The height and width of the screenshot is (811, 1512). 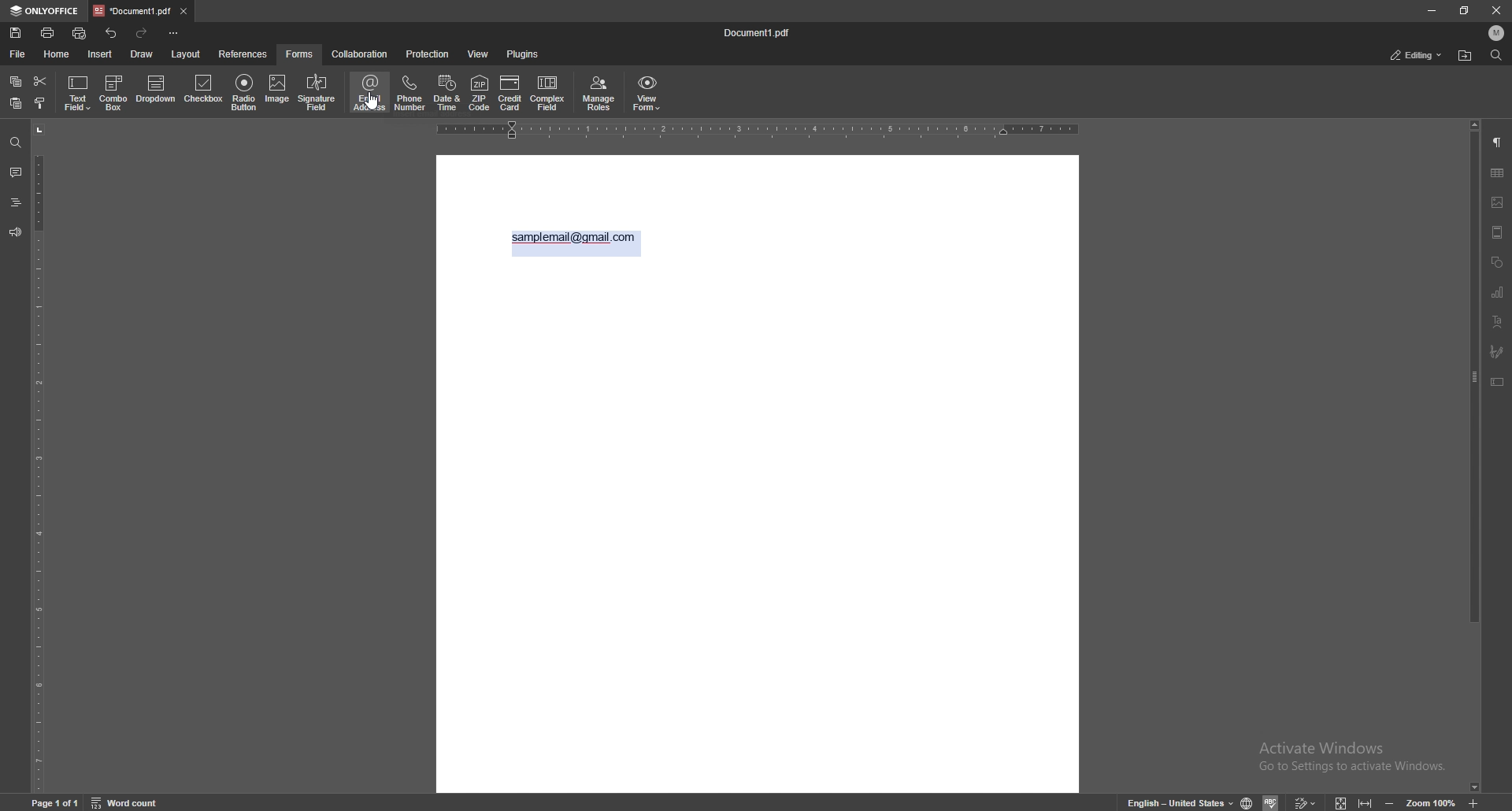 What do you see at coordinates (243, 54) in the screenshot?
I see `references` at bounding box center [243, 54].